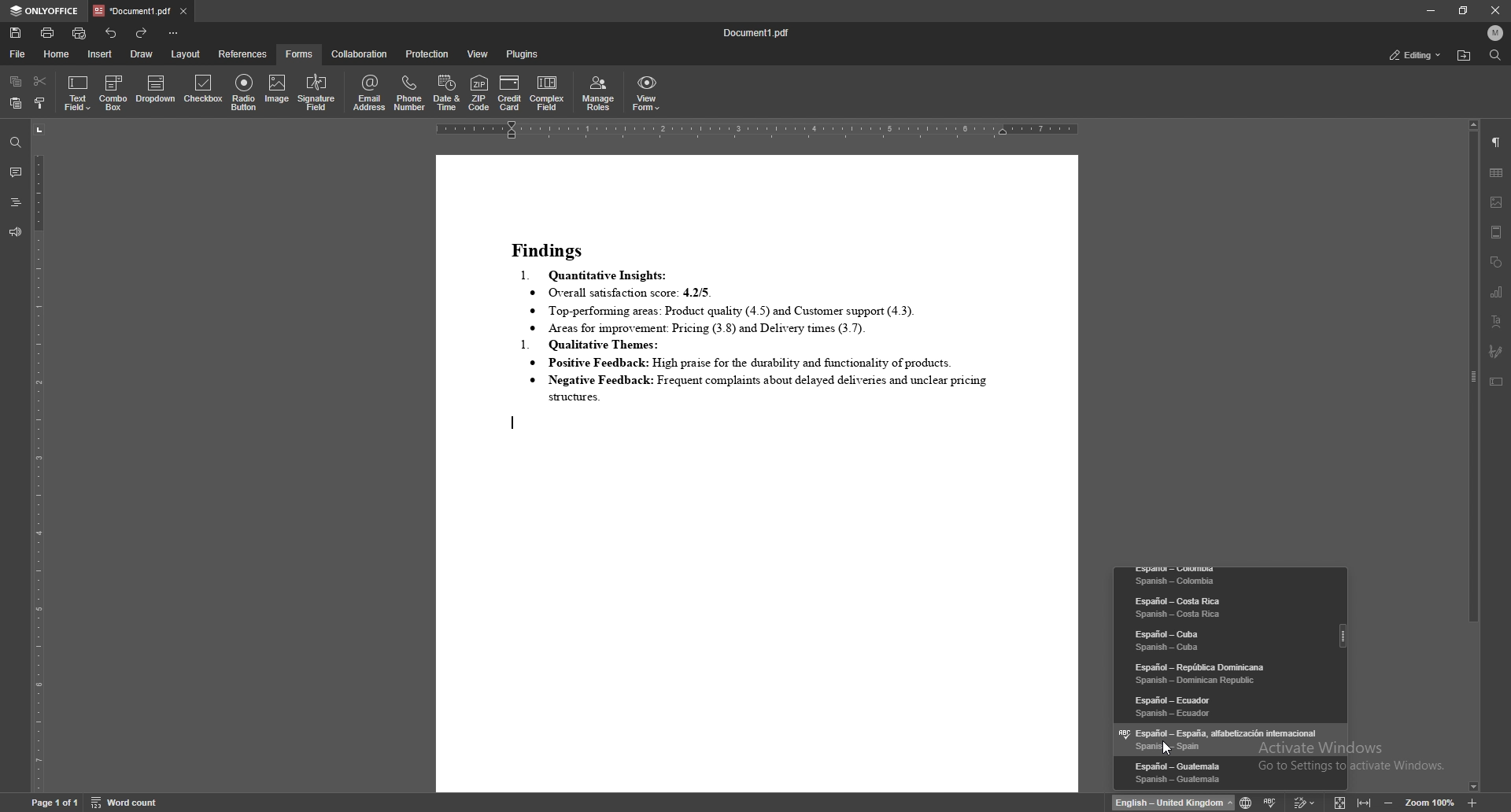 The height and width of the screenshot is (812, 1511). I want to click on radio button, so click(245, 93).